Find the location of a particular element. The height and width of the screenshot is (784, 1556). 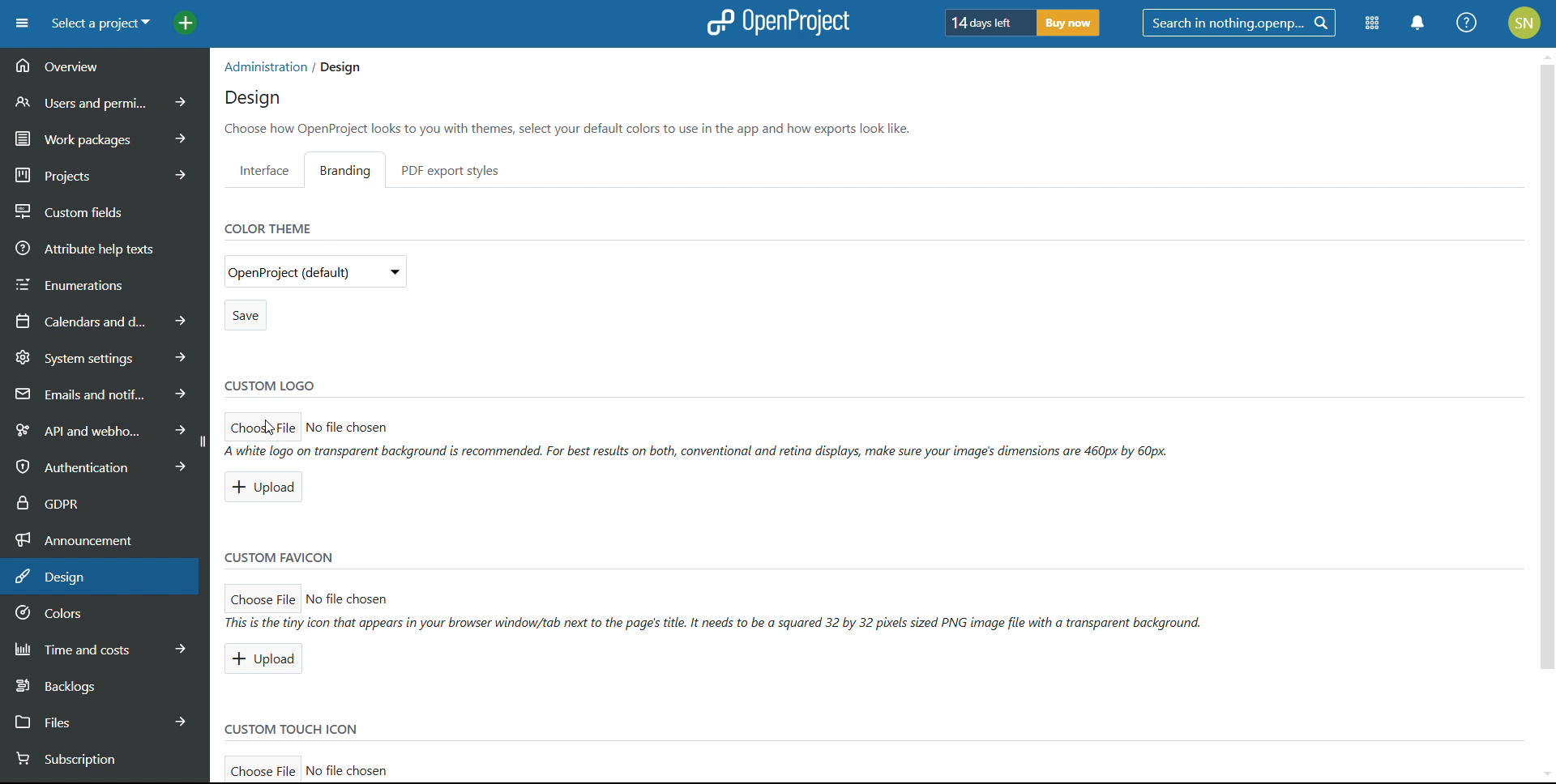

upload is located at coordinates (262, 658).